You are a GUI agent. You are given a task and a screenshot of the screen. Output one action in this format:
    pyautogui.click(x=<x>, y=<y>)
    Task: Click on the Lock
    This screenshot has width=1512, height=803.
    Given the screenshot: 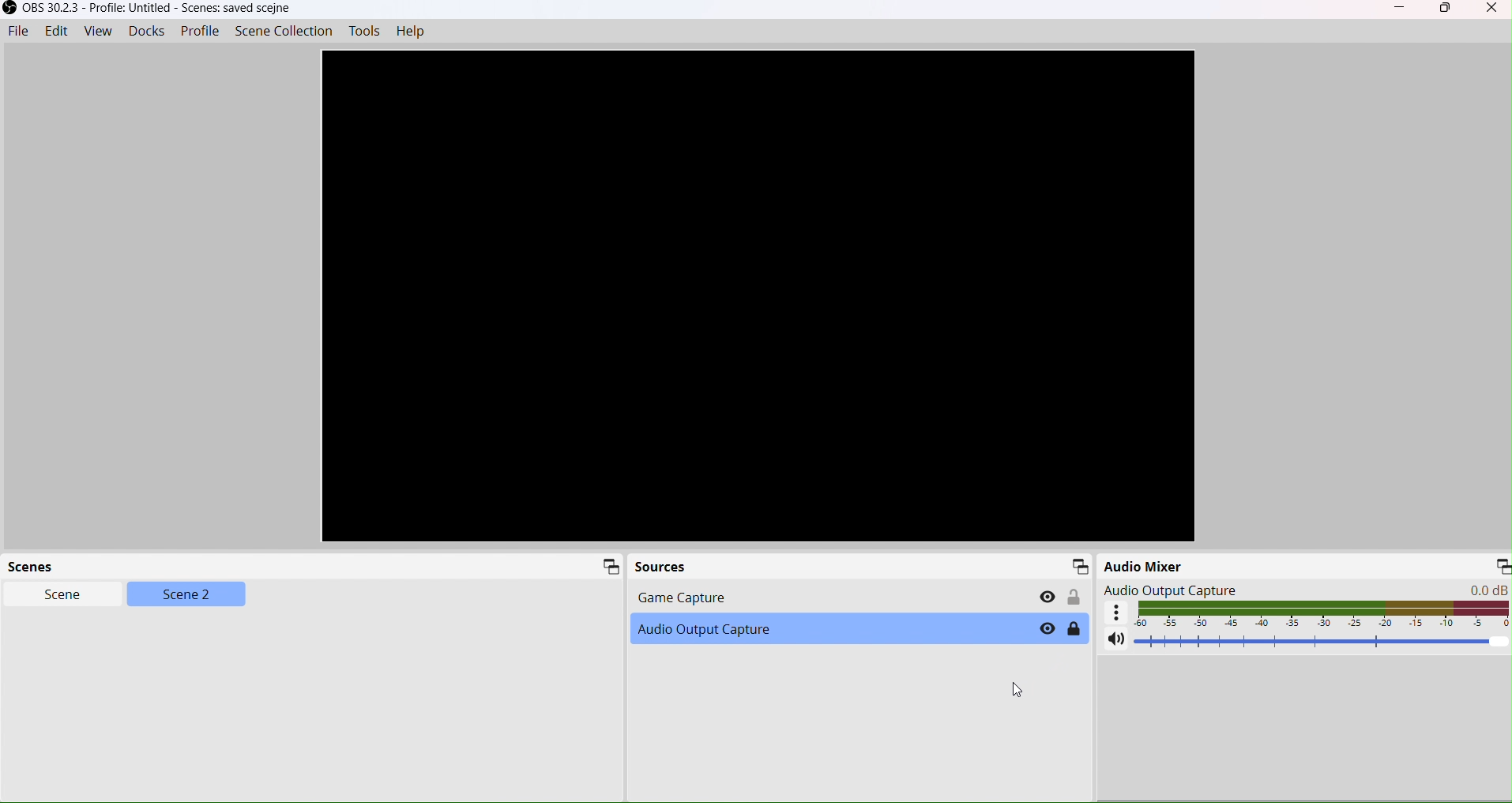 What is the action you would take?
    pyautogui.click(x=1076, y=629)
    